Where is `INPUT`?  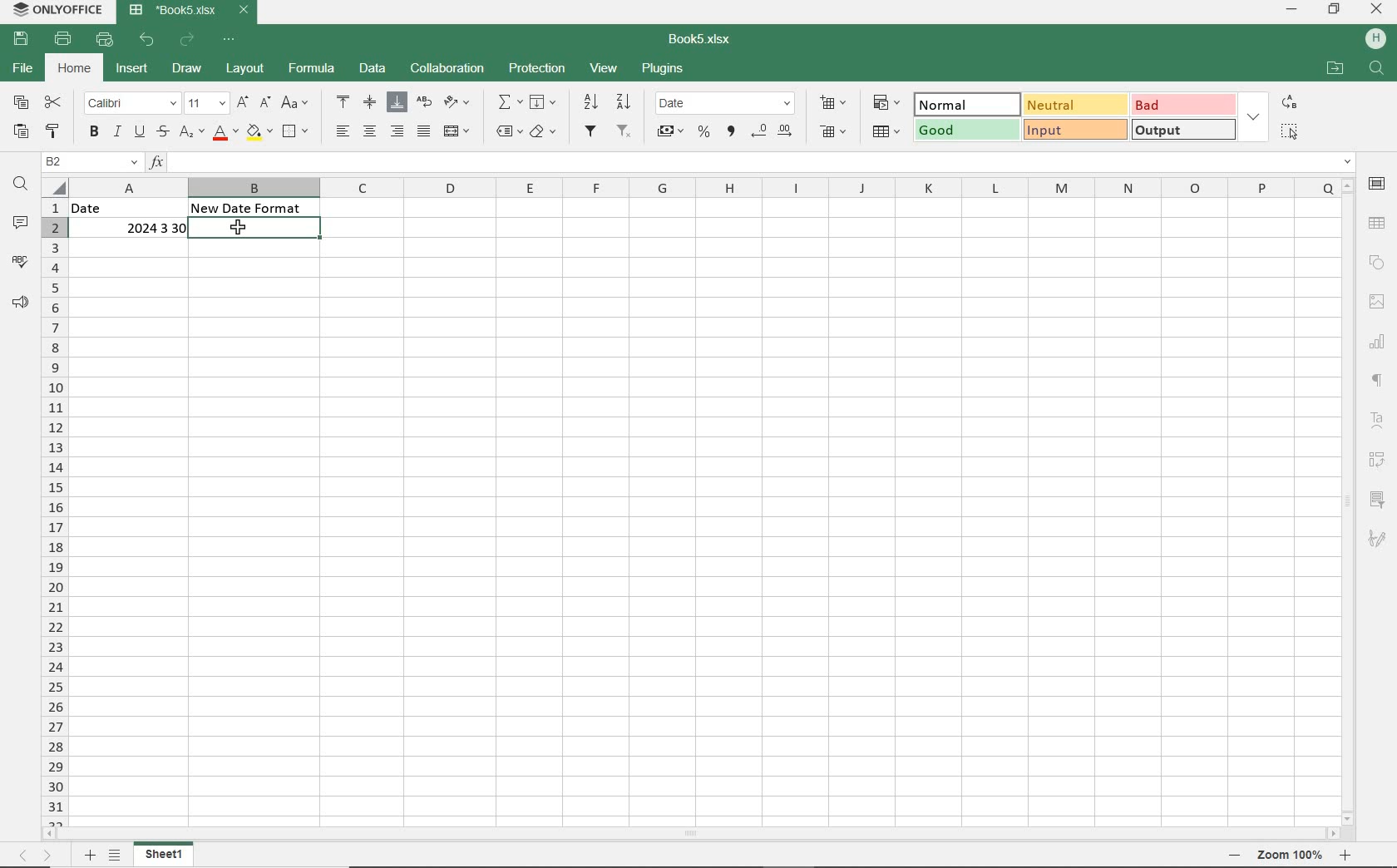
INPUT is located at coordinates (1074, 130).